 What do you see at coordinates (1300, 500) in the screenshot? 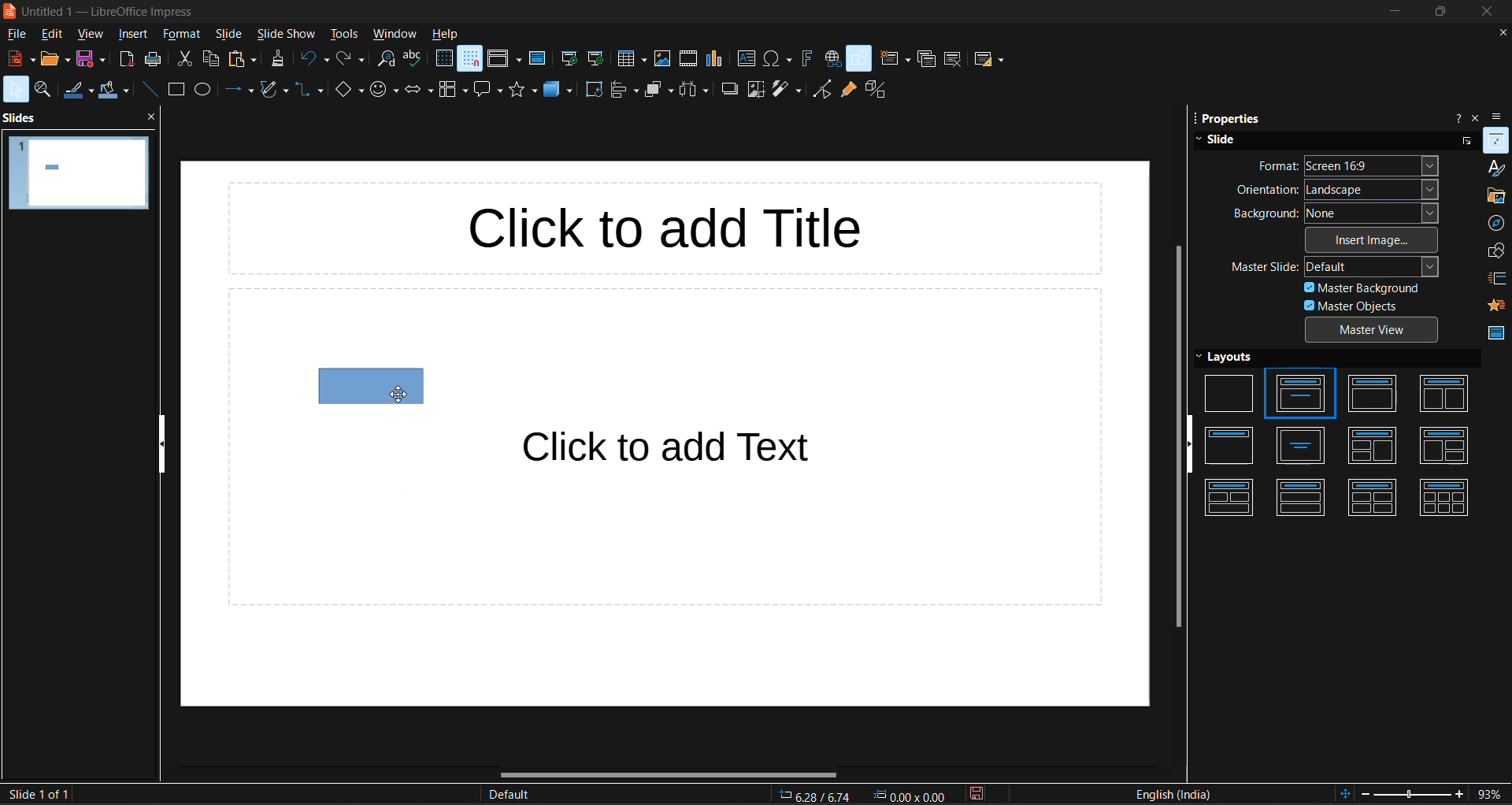
I see `title content over content` at bounding box center [1300, 500].